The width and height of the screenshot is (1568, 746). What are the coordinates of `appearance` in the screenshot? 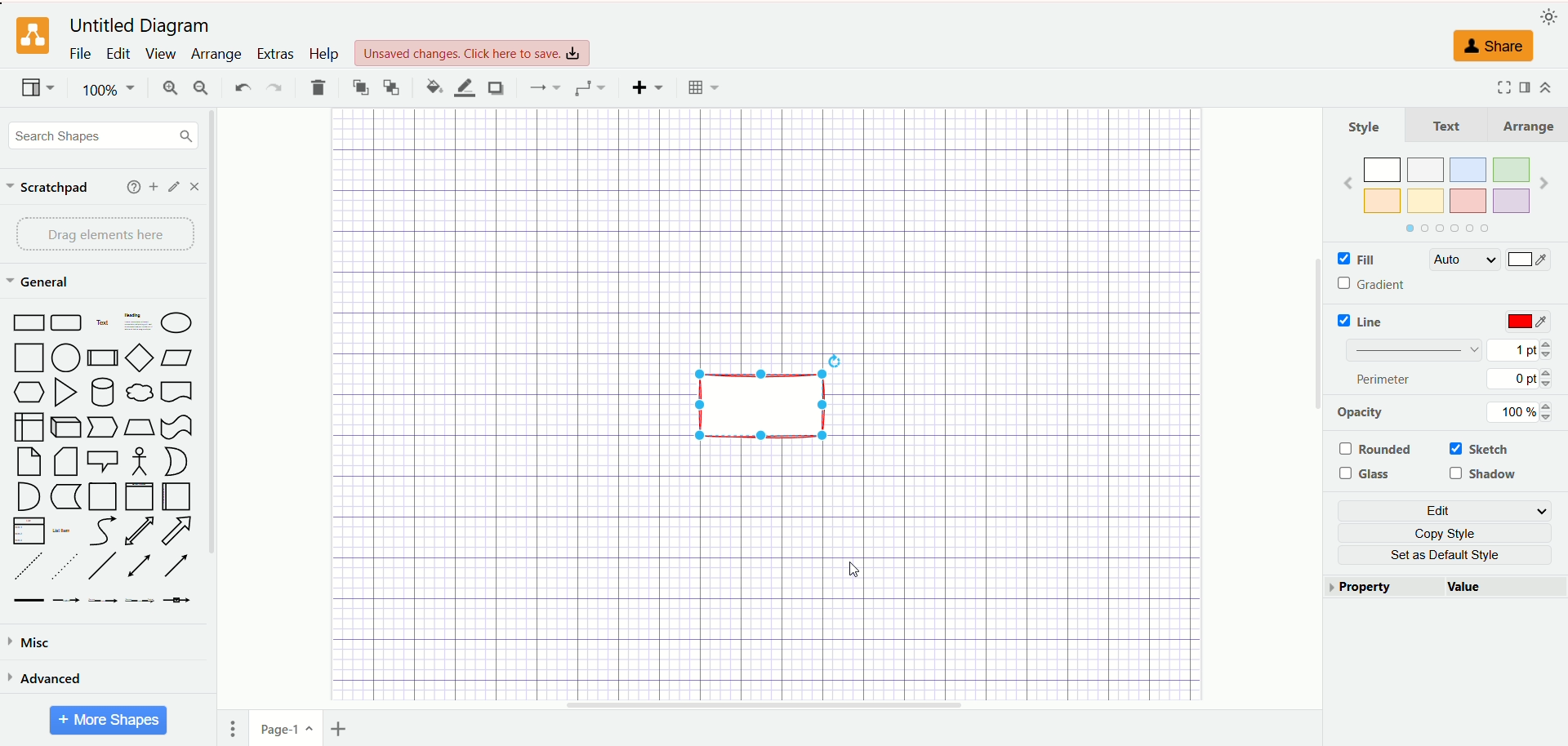 It's located at (1545, 16).